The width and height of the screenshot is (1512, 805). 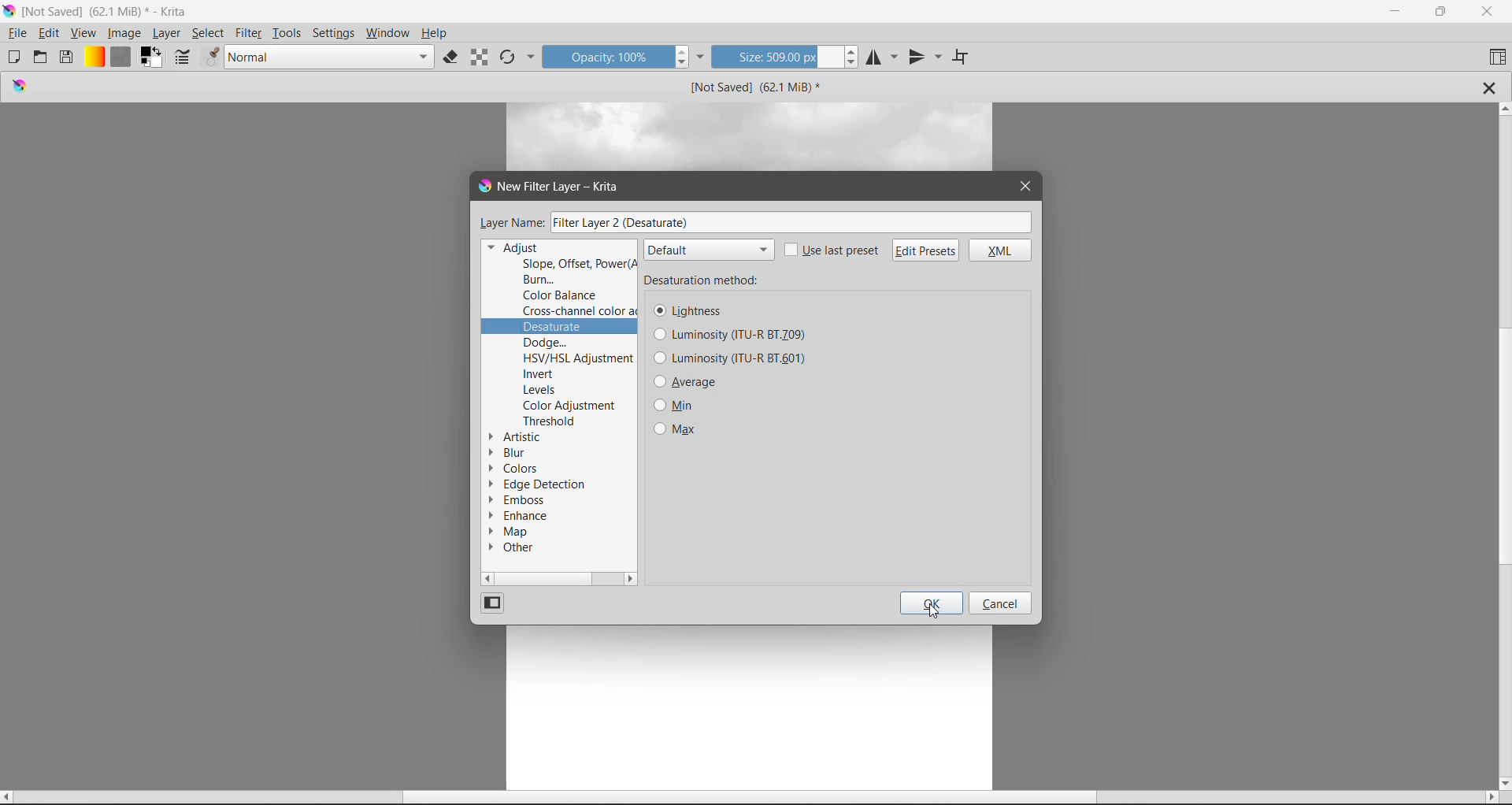 I want to click on Color Adjustment, so click(x=569, y=406).